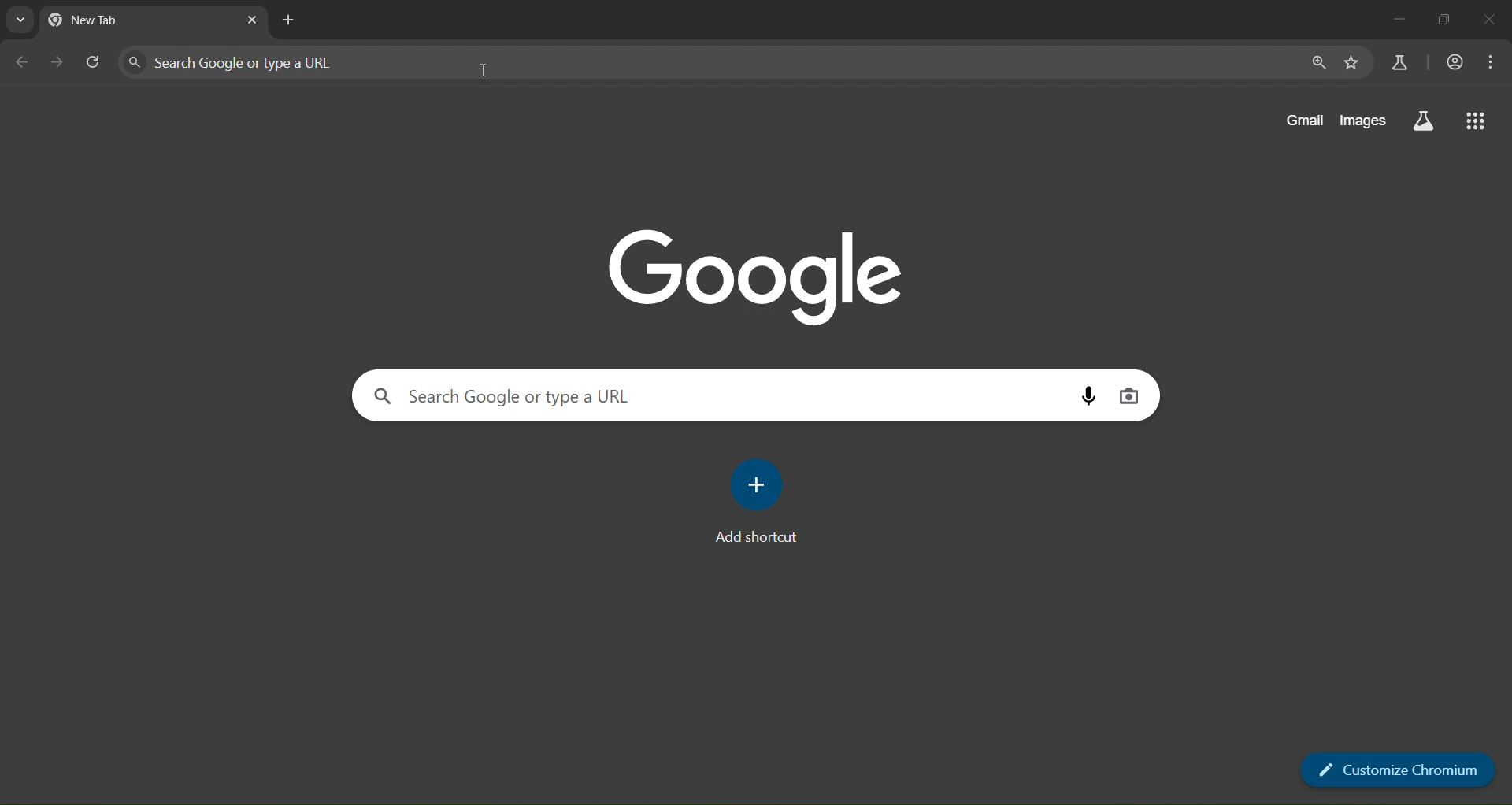  Describe the element at coordinates (481, 72) in the screenshot. I see `cursor` at that location.